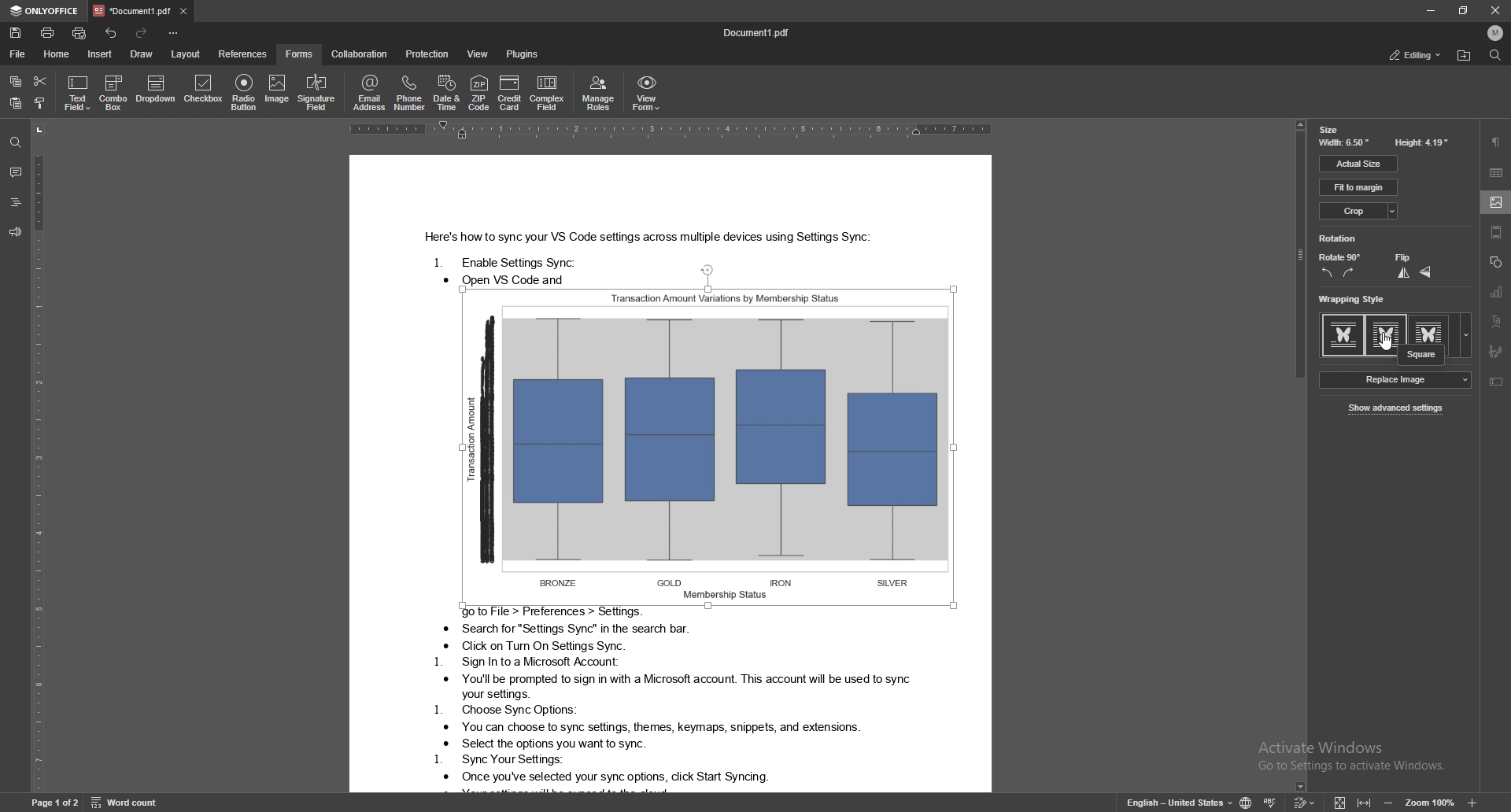 The image size is (1511, 812). Describe the element at coordinates (1419, 355) in the screenshot. I see `square` at that location.